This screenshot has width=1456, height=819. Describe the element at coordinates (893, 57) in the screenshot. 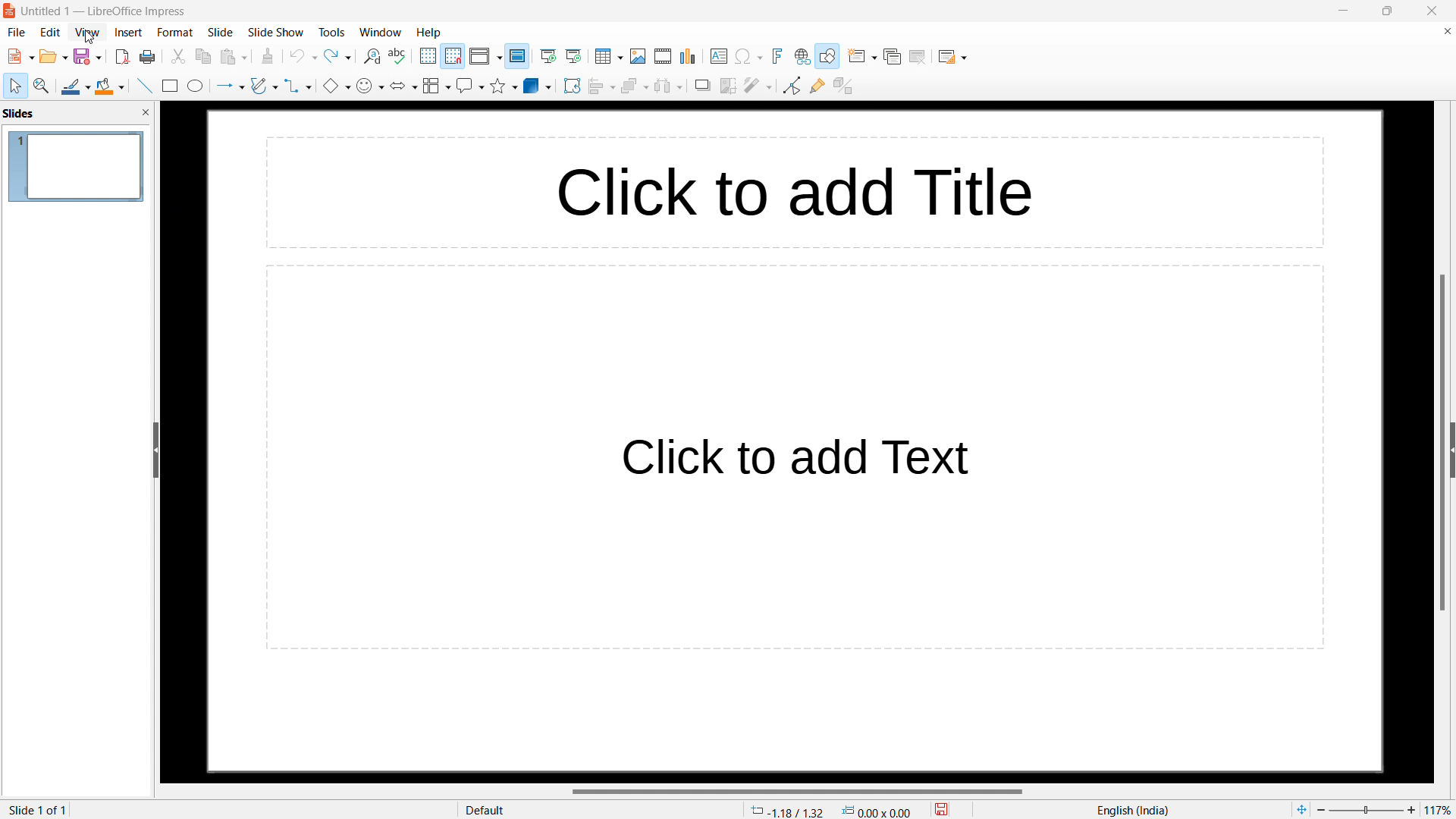

I see `duplicate slide` at that location.